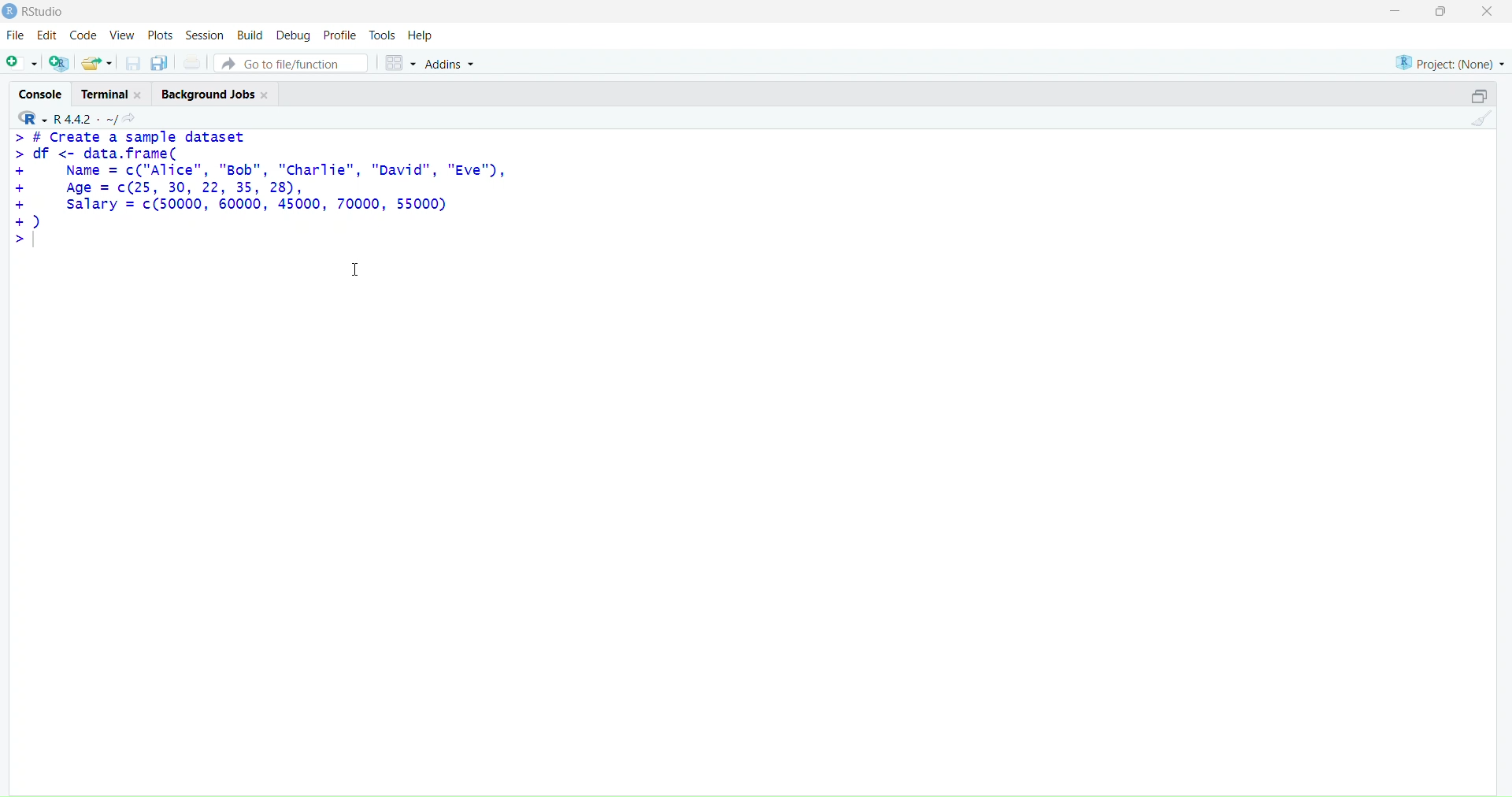 The image size is (1512, 797). I want to click on build, so click(251, 35).